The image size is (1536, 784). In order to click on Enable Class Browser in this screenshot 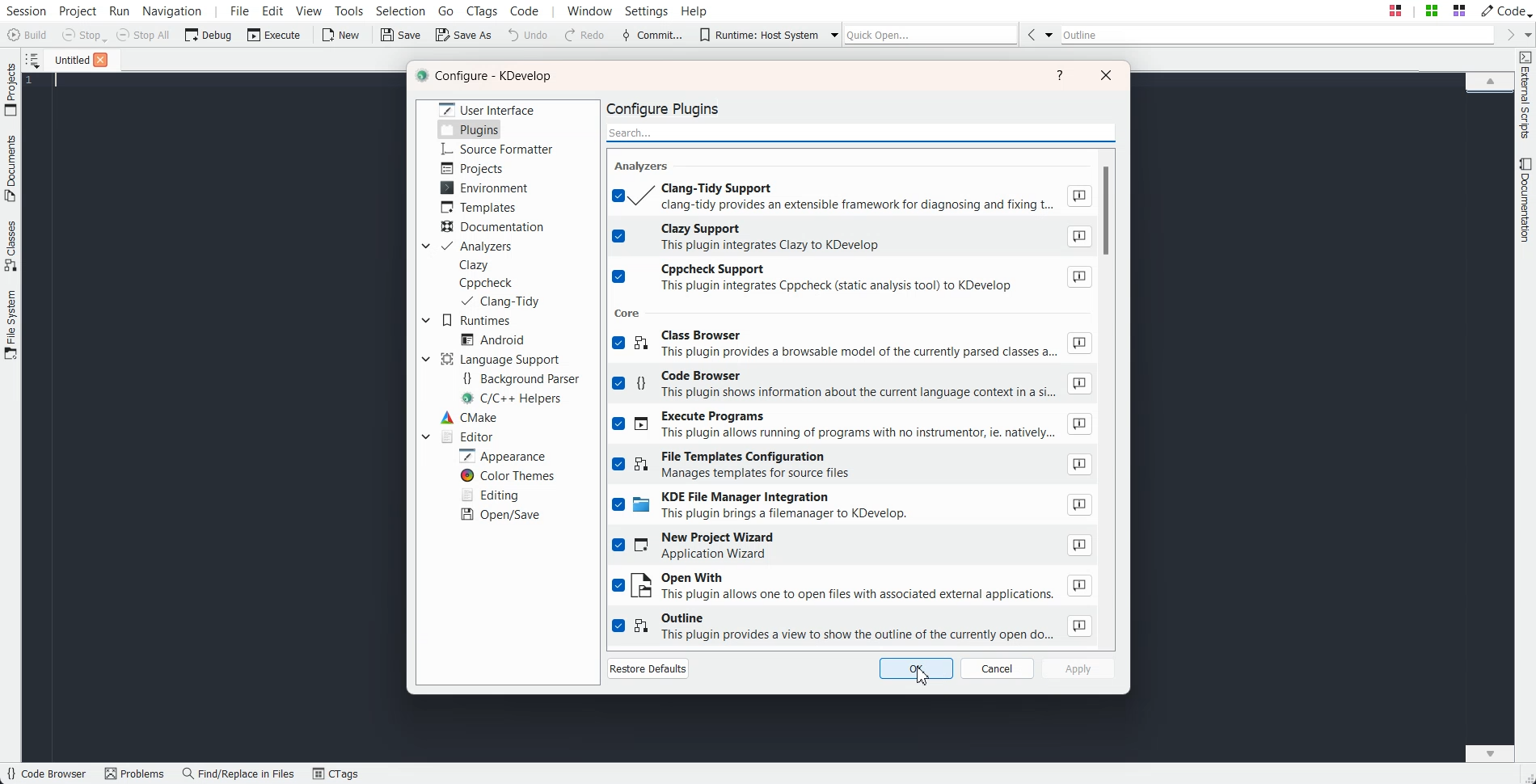, I will do `click(852, 346)`.